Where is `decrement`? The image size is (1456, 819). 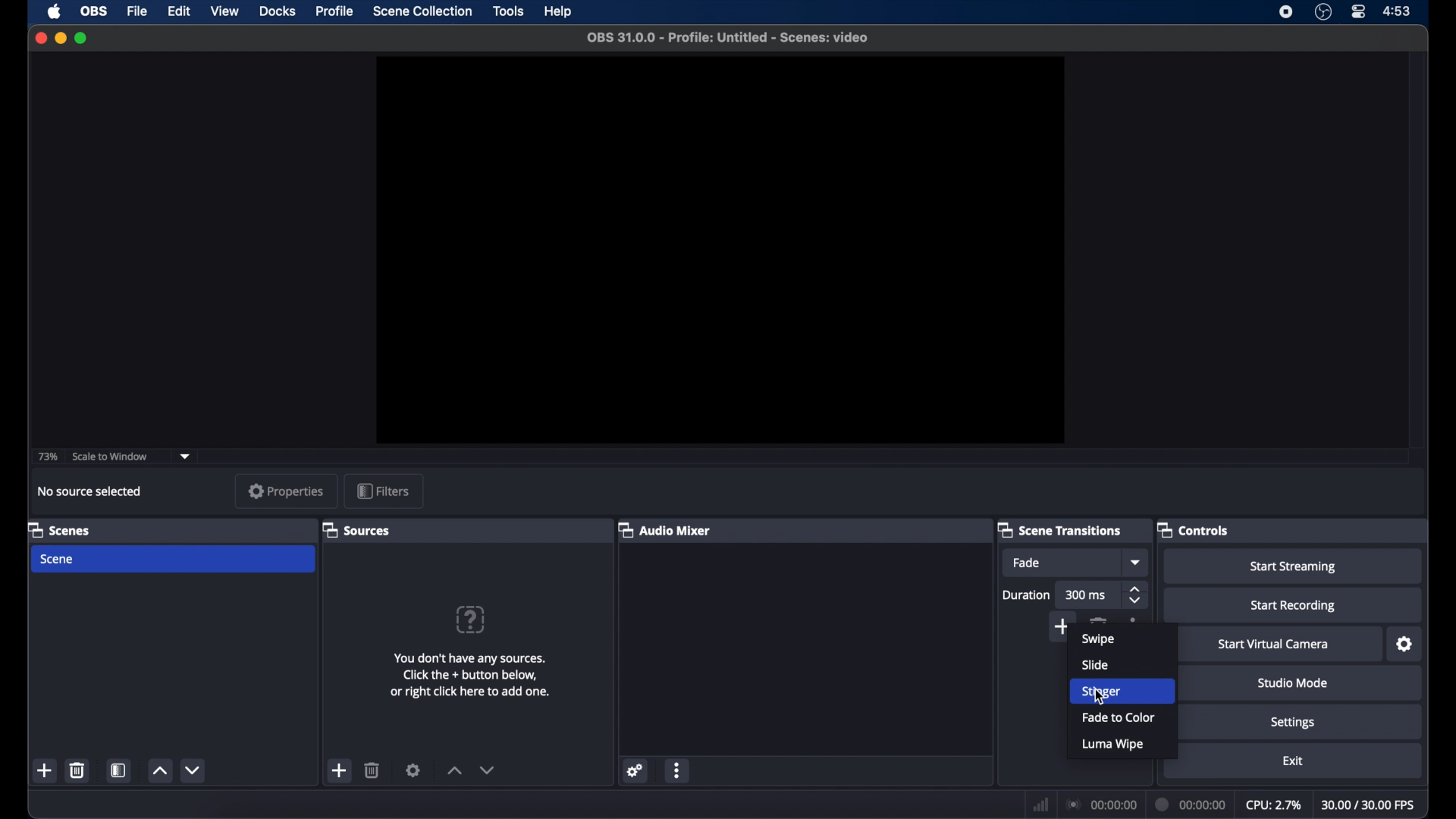
decrement is located at coordinates (487, 770).